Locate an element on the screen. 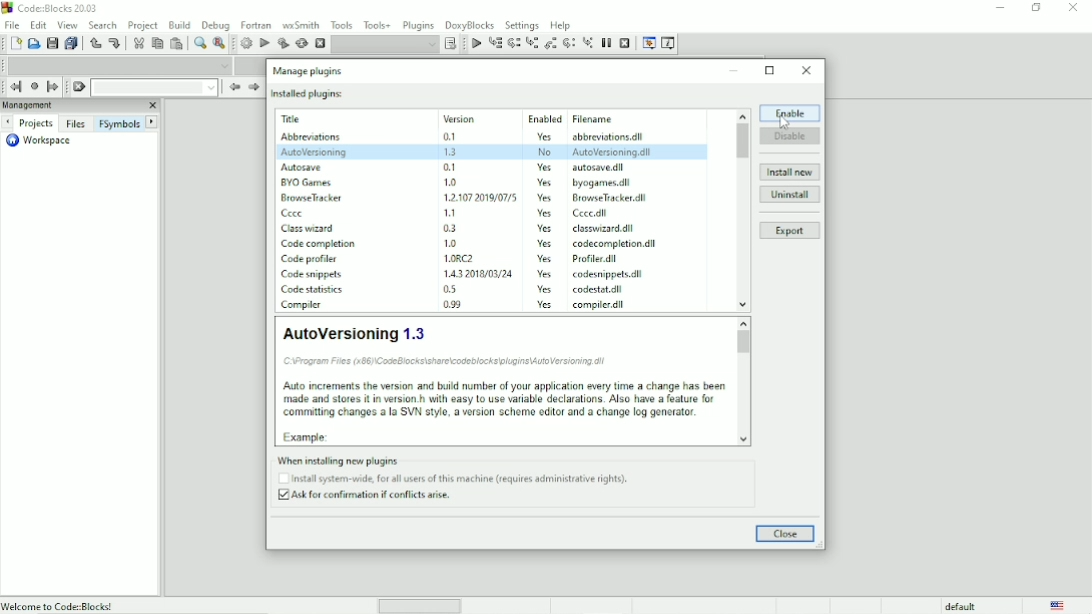 The height and width of the screenshot is (614, 1092). Copy is located at coordinates (157, 43).